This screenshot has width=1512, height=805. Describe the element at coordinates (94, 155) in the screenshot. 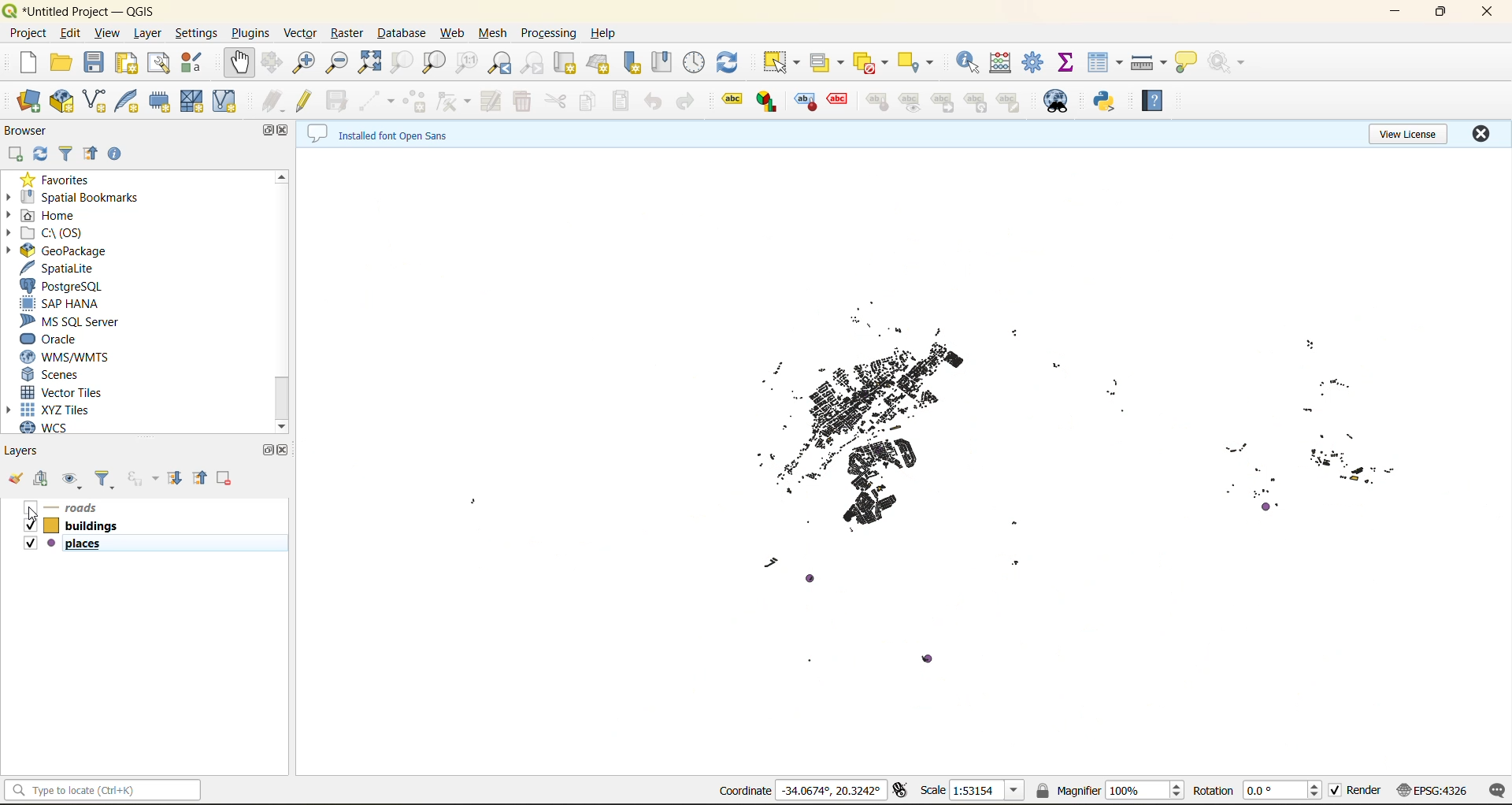

I see `collapse all` at that location.